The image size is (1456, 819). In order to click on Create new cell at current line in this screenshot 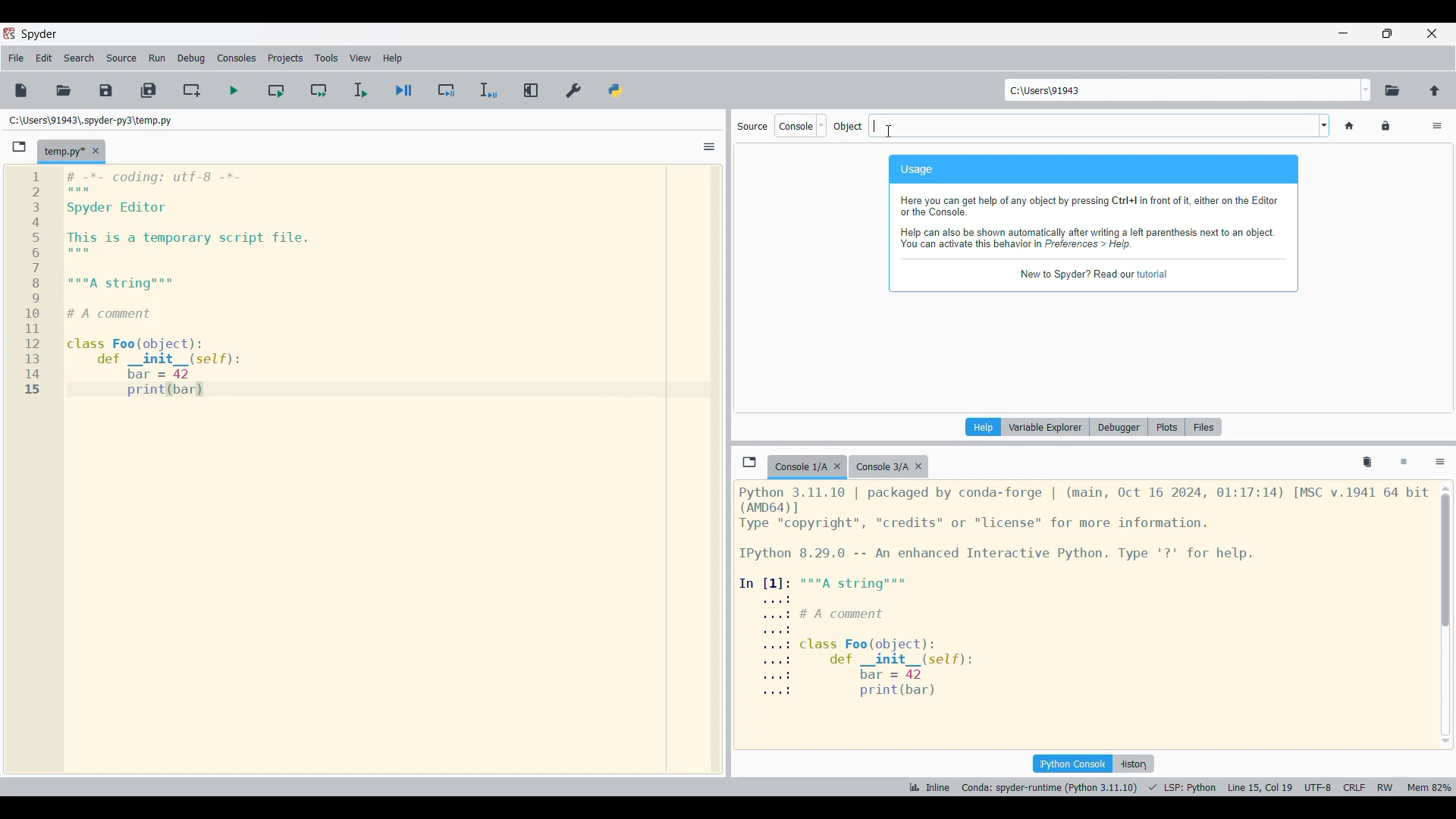, I will do `click(191, 91)`.